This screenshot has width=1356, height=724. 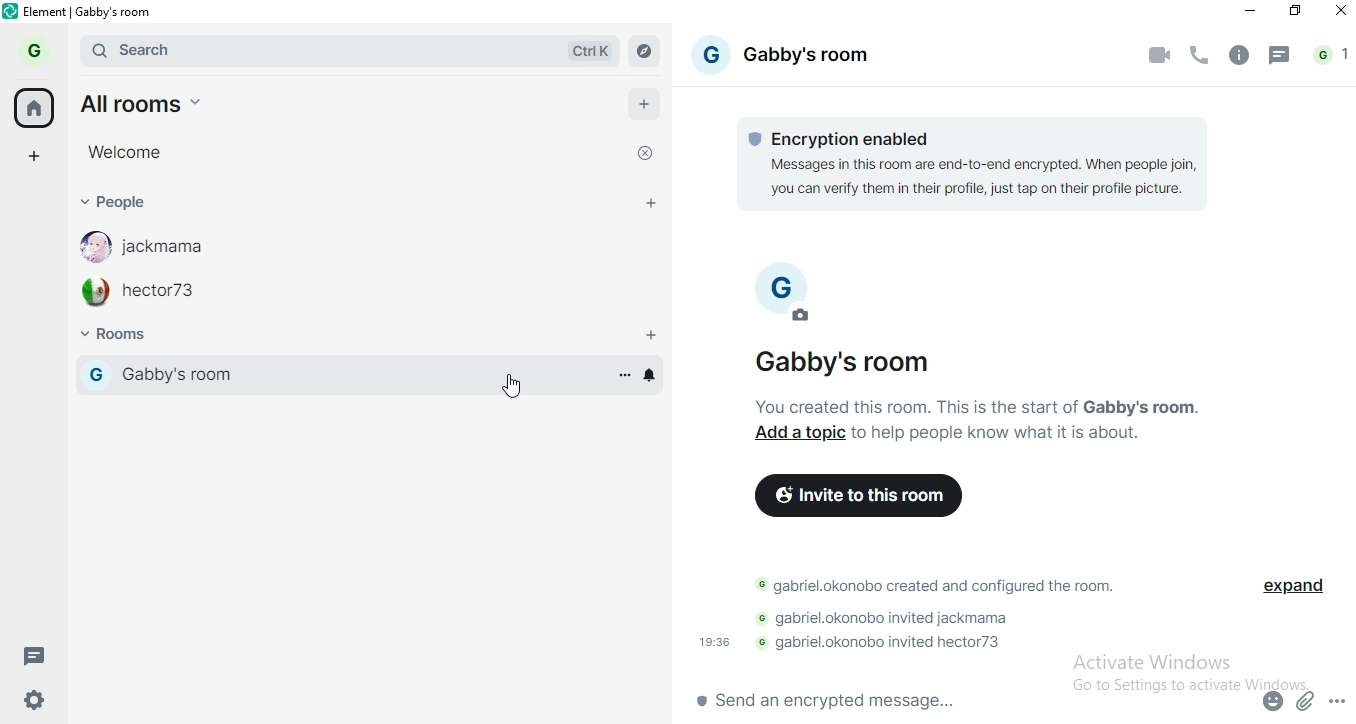 I want to click on welcome, so click(x=127, y=151).